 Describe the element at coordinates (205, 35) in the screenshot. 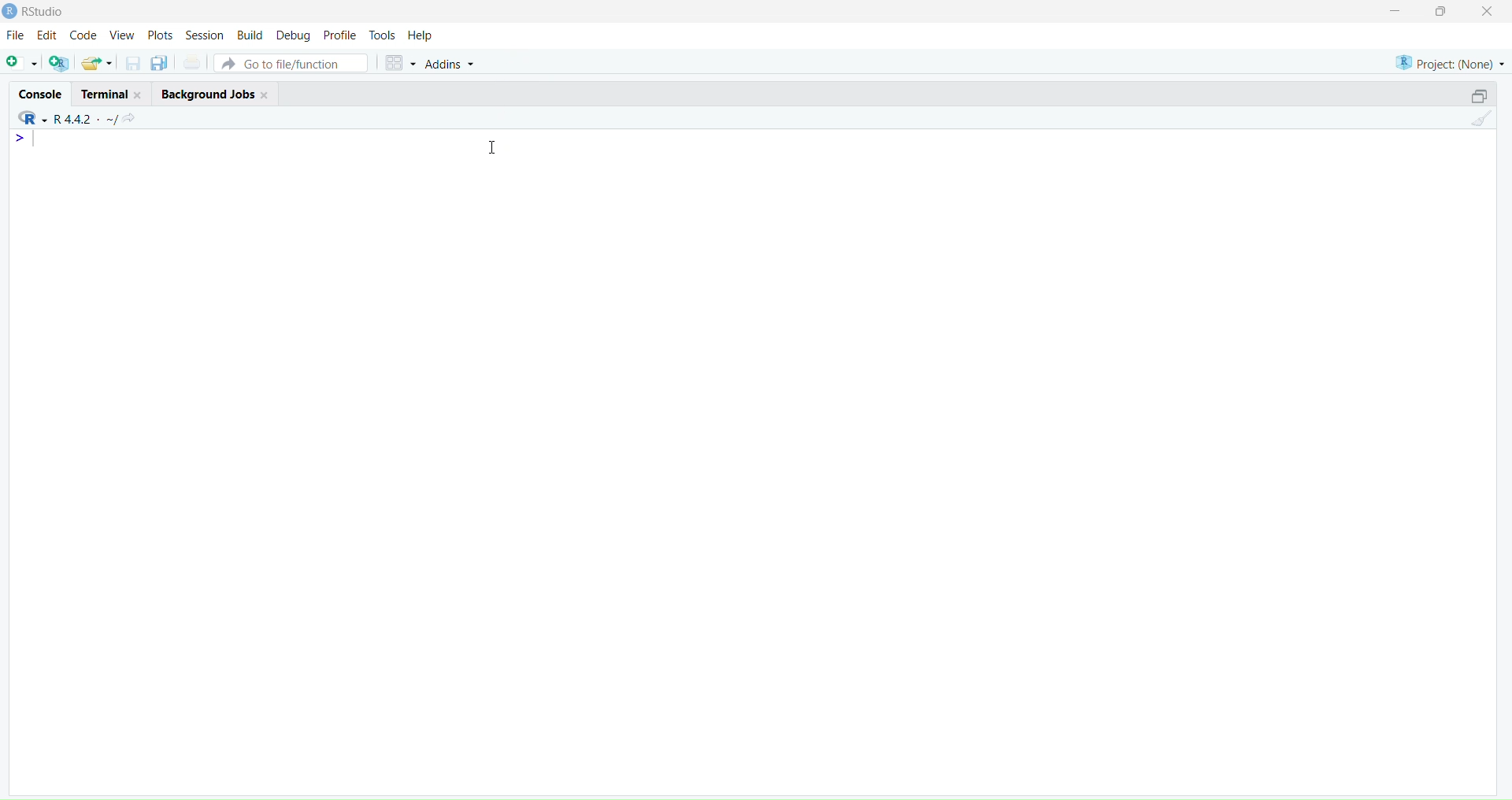

I see `session` at that location.